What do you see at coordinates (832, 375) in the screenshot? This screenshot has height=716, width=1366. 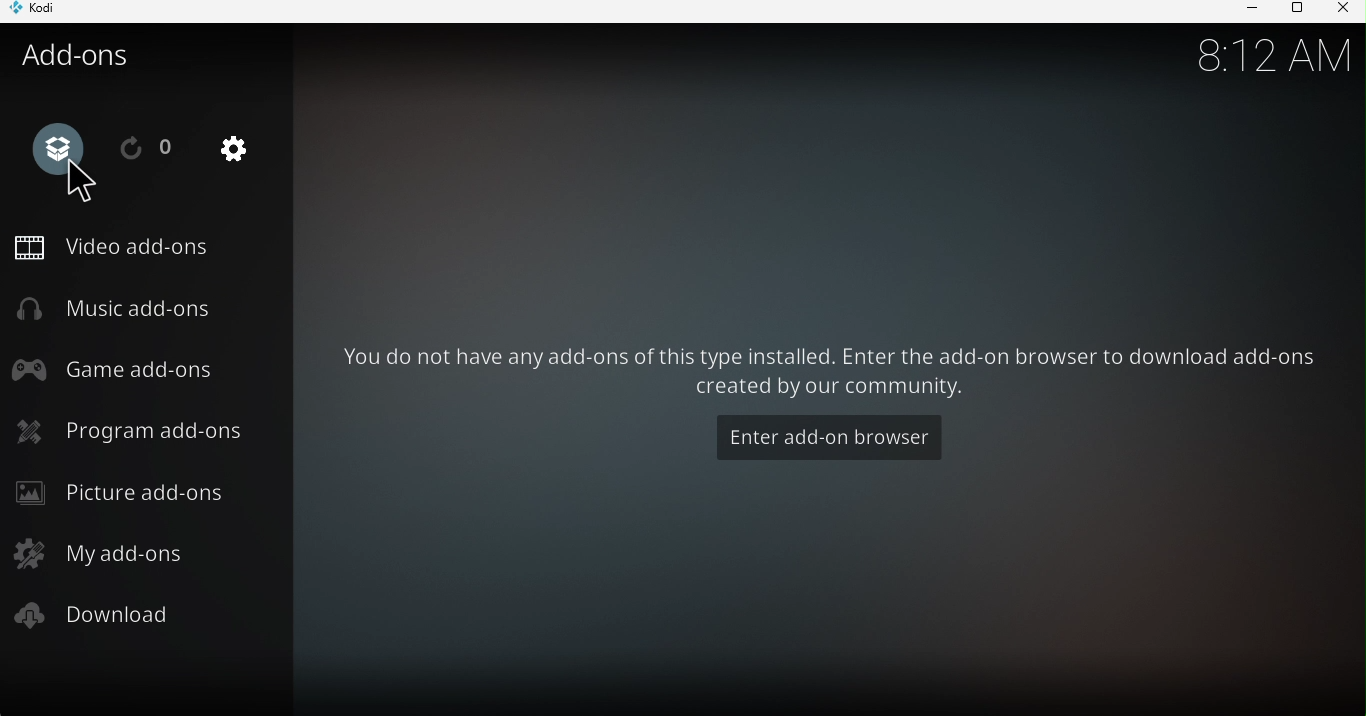 I see `You do not have any add-ons of this type installed. Enter the add-on browser to download add-ons created by our community.` at bounding box center [832, 375].